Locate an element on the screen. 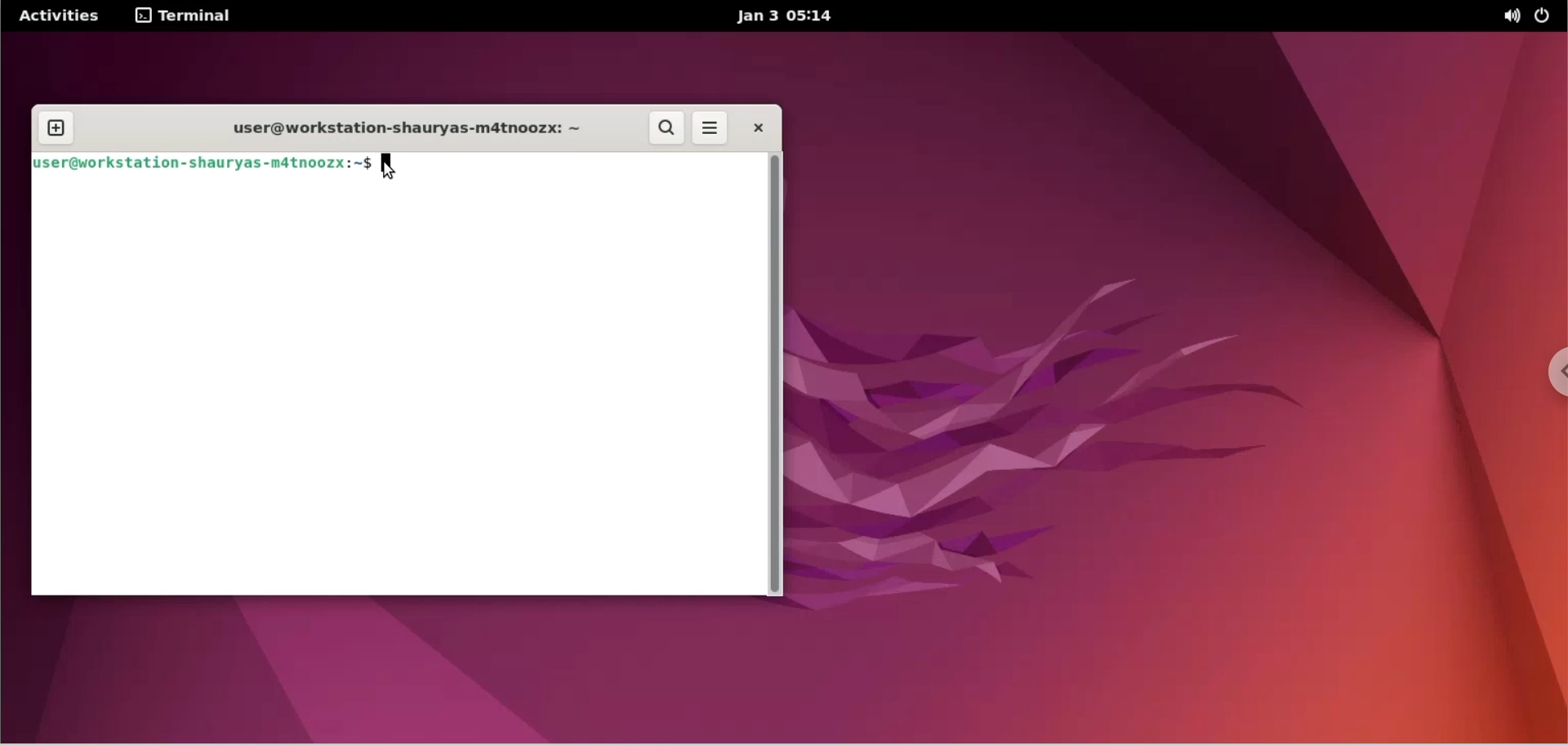  menu is located at coordinates (709, 129).